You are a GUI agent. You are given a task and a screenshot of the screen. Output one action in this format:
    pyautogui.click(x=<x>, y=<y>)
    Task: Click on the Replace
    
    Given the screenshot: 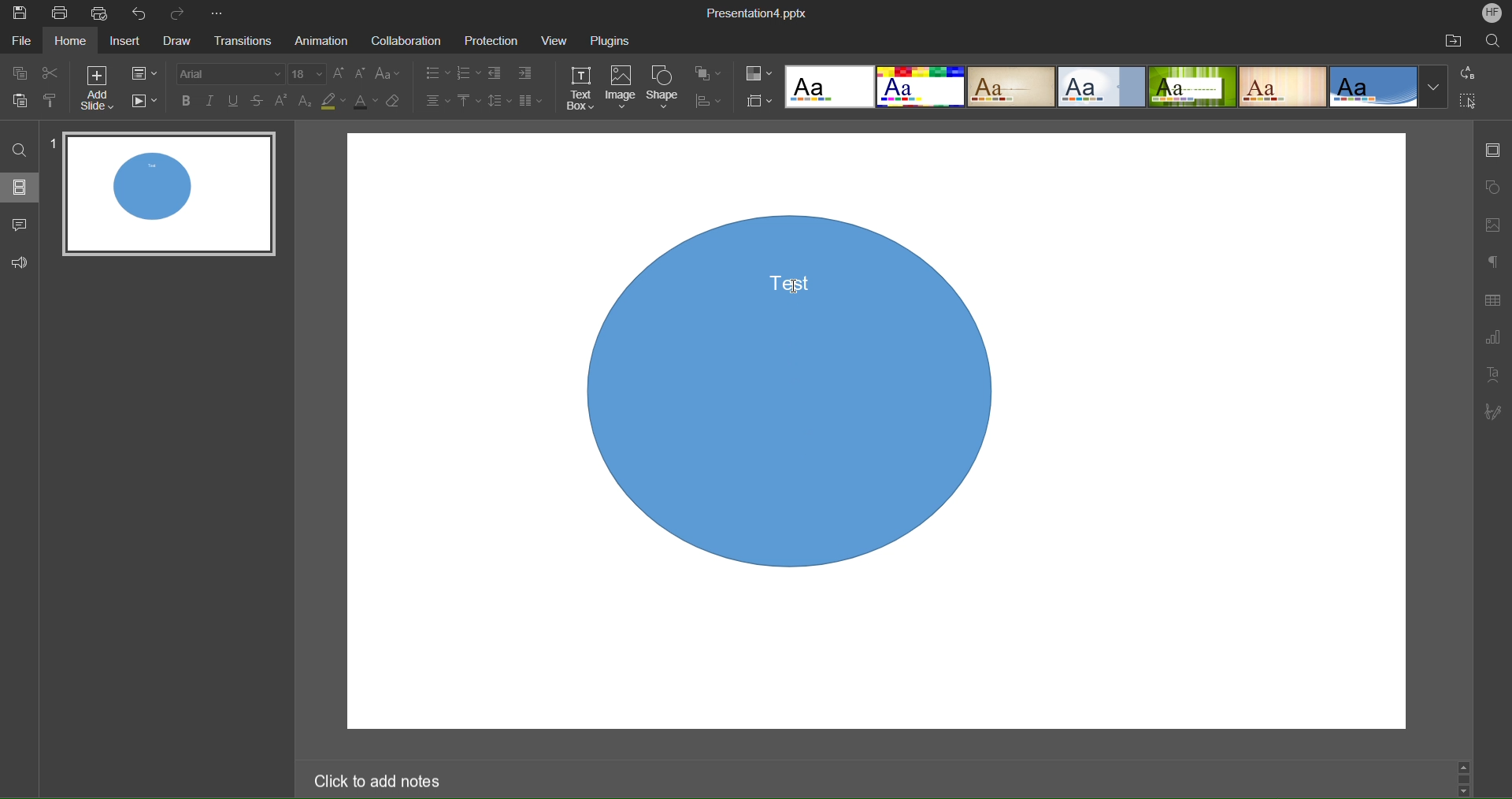 What is the action you would take?
    pyautogui.click(x=1473, y=70)
    